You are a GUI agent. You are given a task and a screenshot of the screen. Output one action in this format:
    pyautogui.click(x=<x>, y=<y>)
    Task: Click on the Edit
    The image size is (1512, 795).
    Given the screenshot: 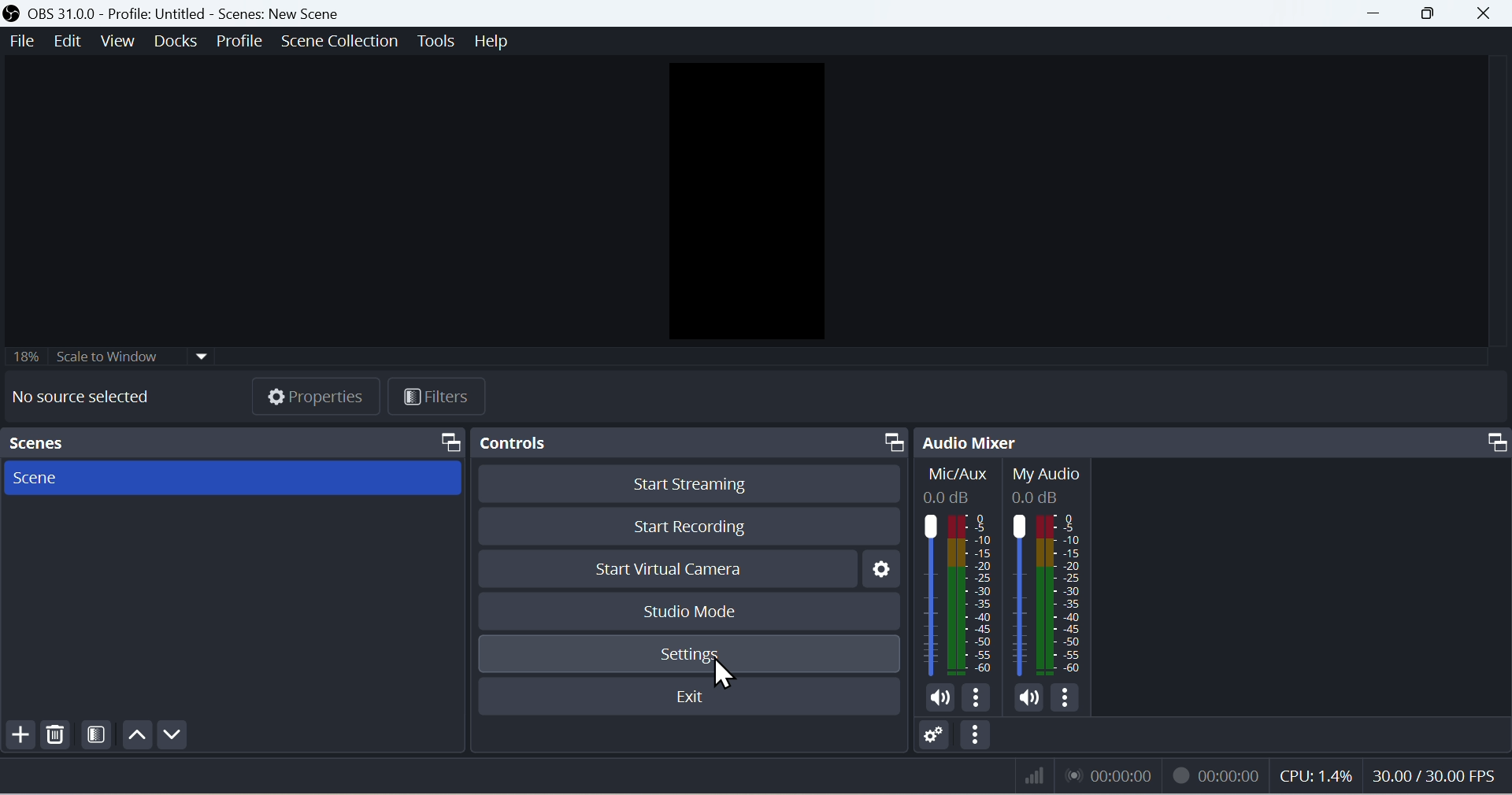 What is the action you would take?
    pyautogui.click(x=66, y=43)
    